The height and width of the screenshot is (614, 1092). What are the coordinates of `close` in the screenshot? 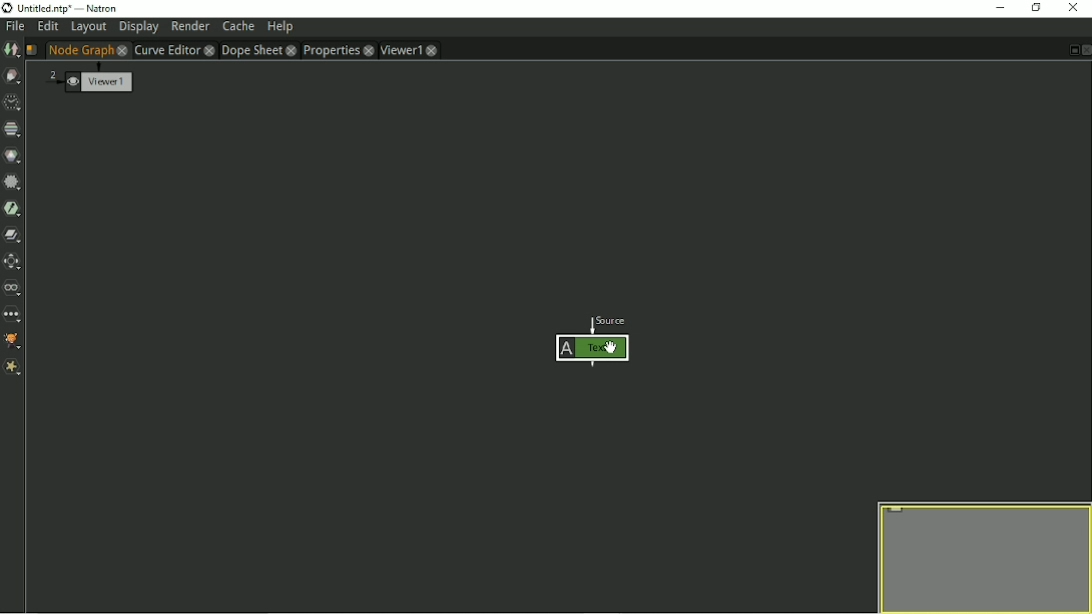 It's located at (121, 50).